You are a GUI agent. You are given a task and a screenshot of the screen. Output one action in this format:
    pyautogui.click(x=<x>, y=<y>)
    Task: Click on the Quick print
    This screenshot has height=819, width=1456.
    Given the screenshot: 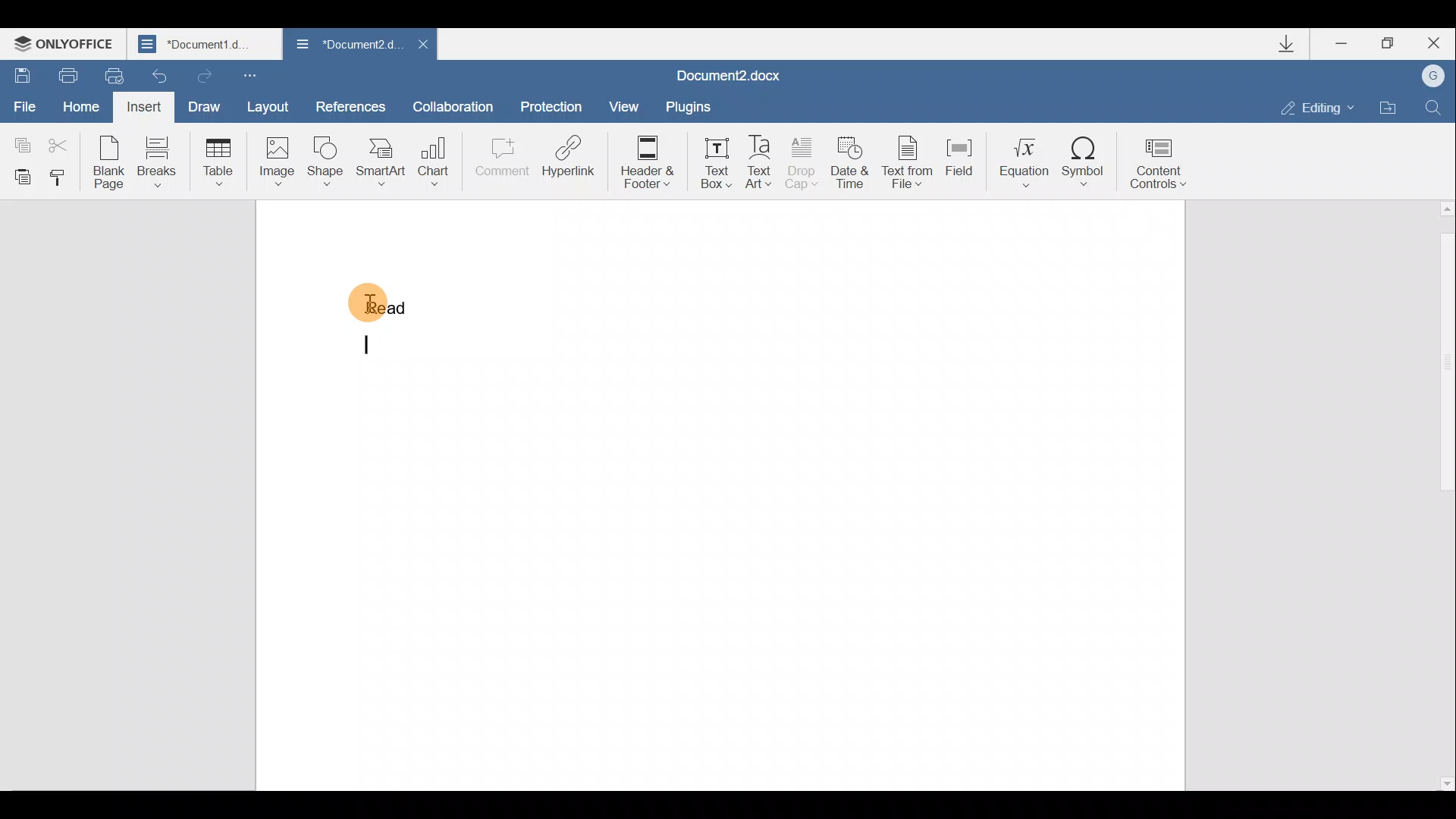 What is the action you would take?
    pyautogui.click(x=108, y=74)
    